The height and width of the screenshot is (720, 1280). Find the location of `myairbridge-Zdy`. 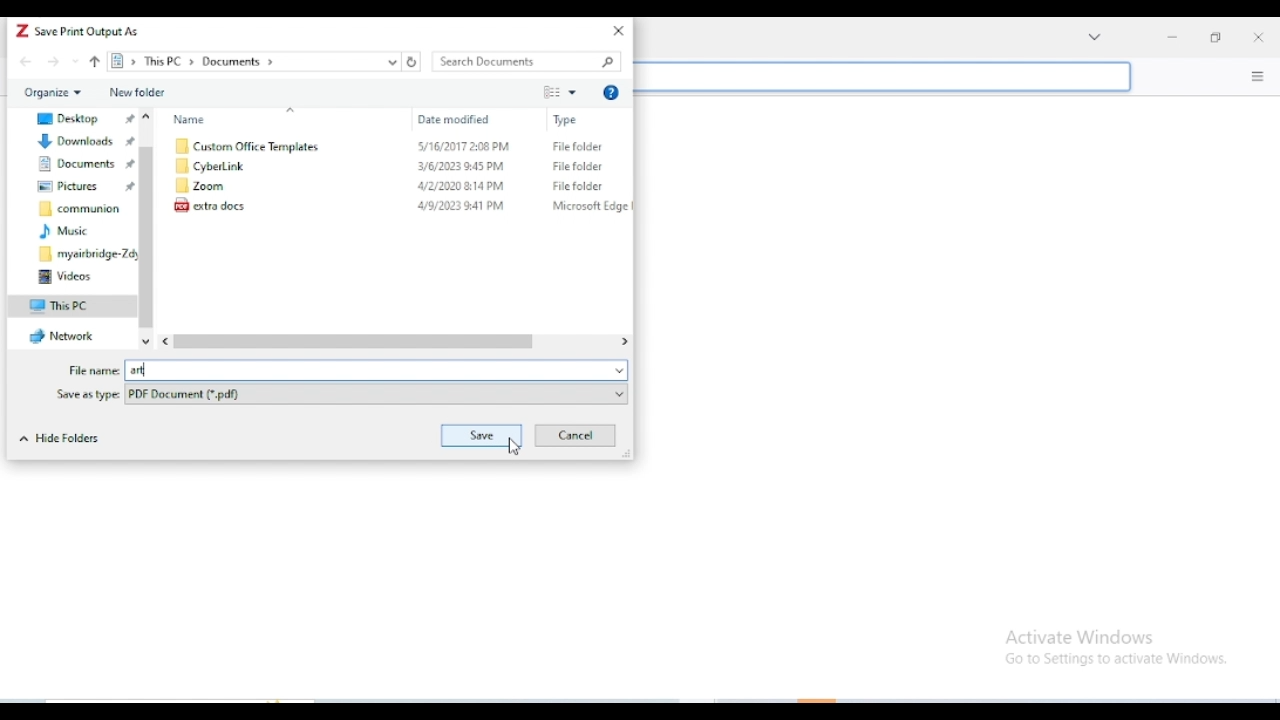

myairbridge-Zdy is located at coordinates (86, 253).